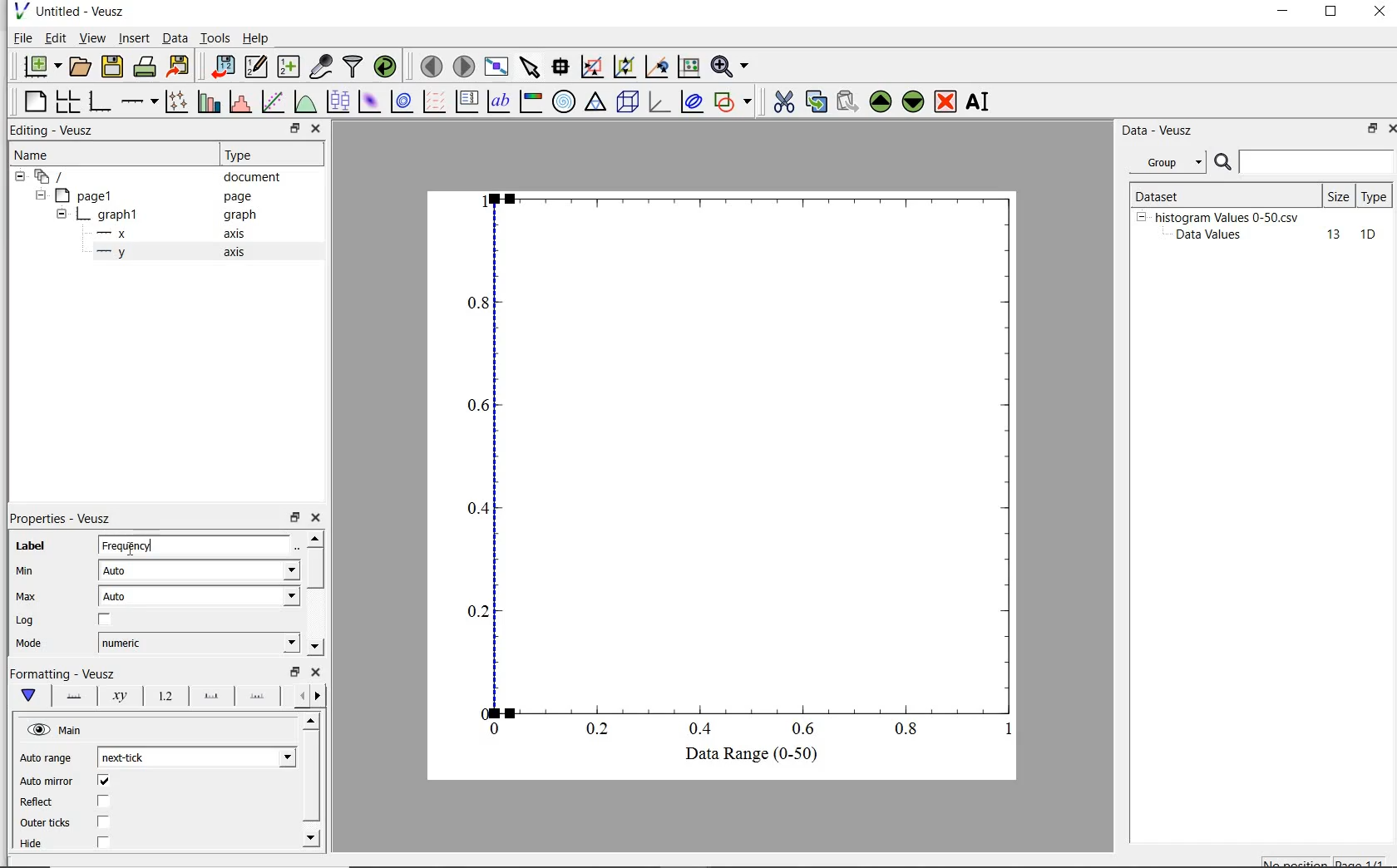 This screenshot has width=1397, height=868. I want to click on import data into veusz, so click(225, 67).